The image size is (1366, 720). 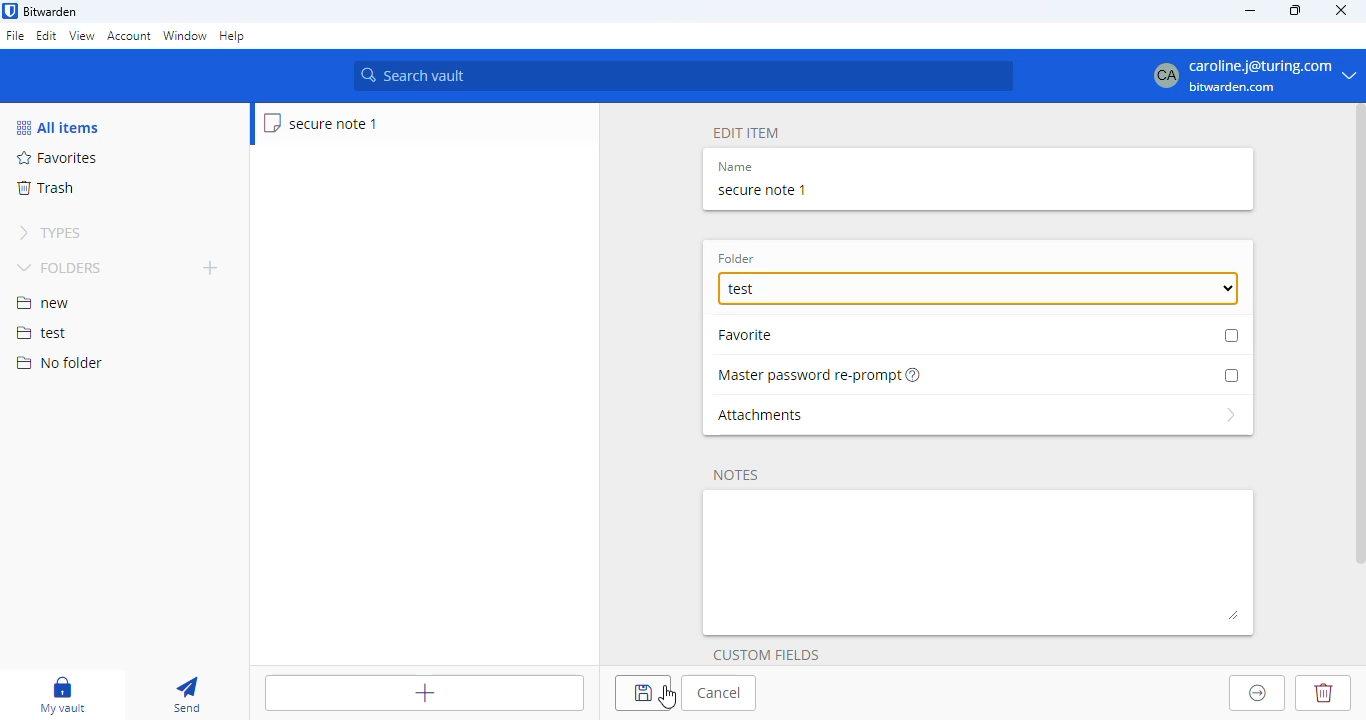 What do you see at coordinates (978, 289) in the screenshot?
I see `test` at bounding box center [978, 289].